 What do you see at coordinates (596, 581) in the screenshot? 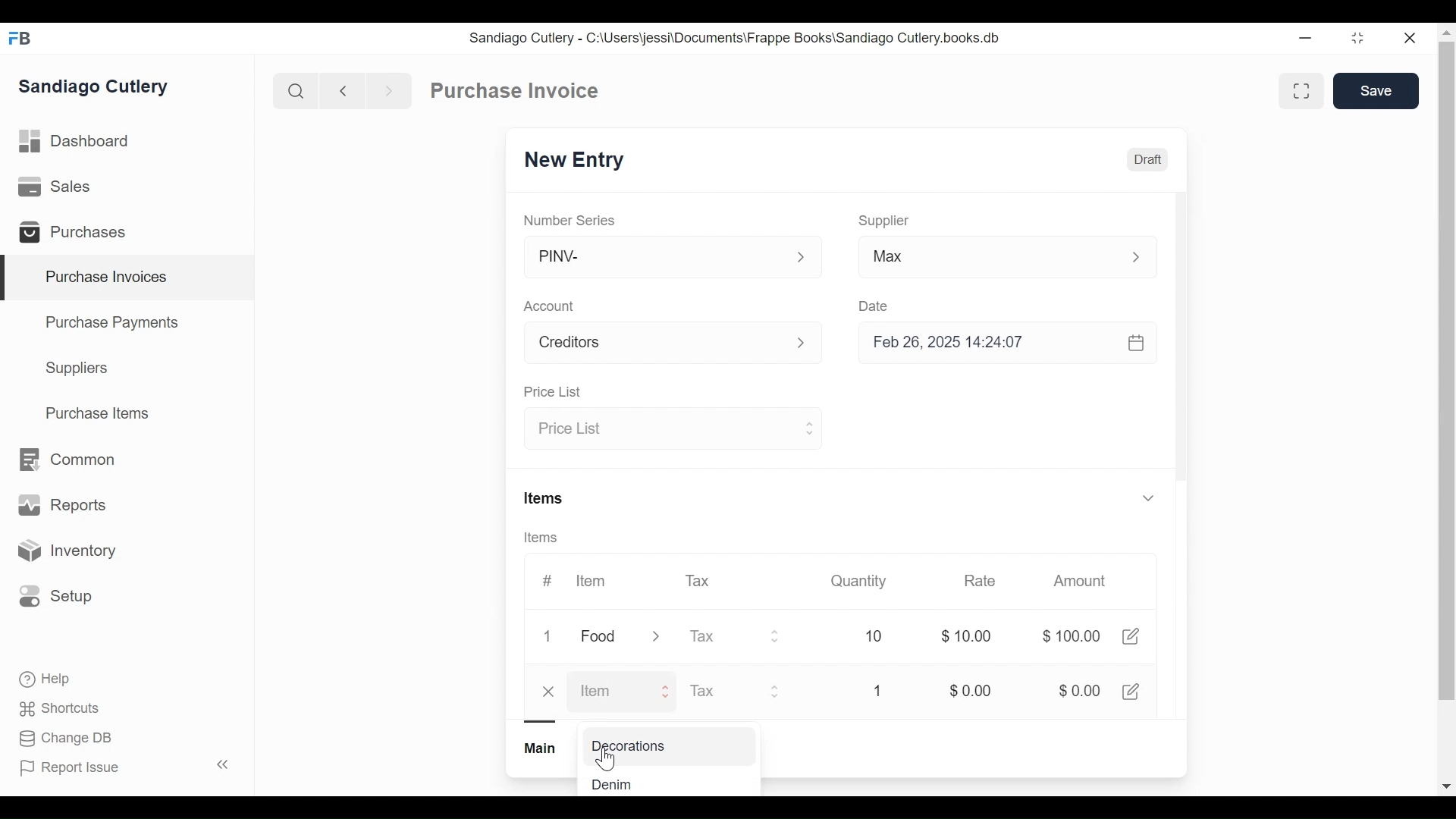
I see `Item` at bounding box center [596, 581].